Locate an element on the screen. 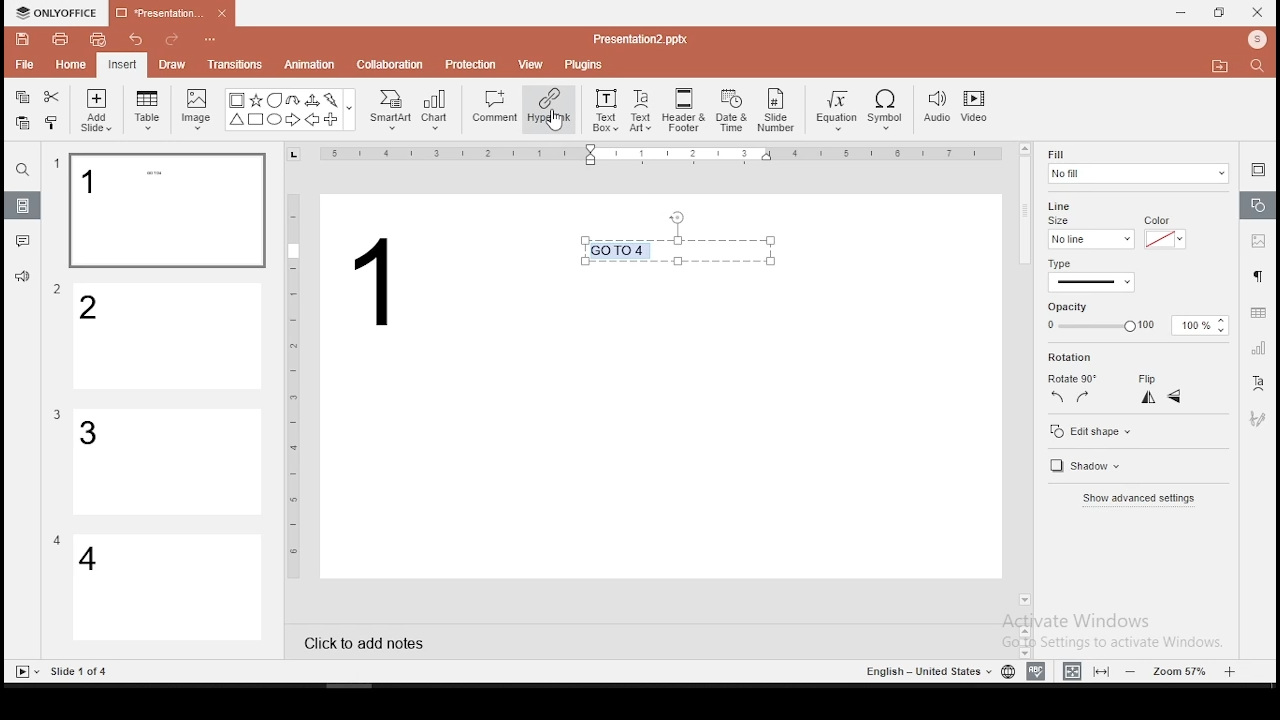 This screenshot has width=1280, height=720. view is located at coordinates (532, 63).